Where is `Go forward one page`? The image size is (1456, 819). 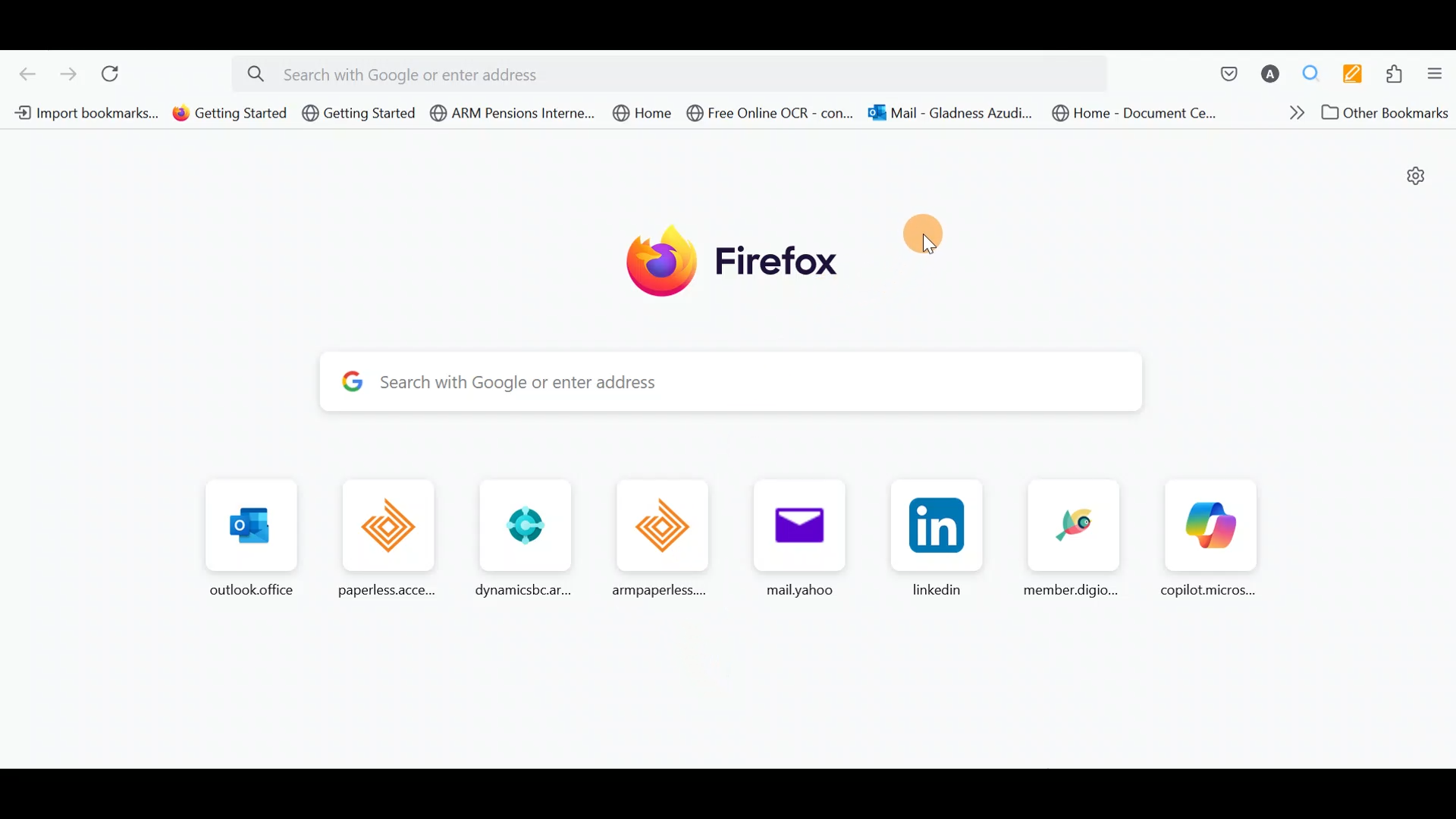 Go forward one page is located at coordinates (67, 74).